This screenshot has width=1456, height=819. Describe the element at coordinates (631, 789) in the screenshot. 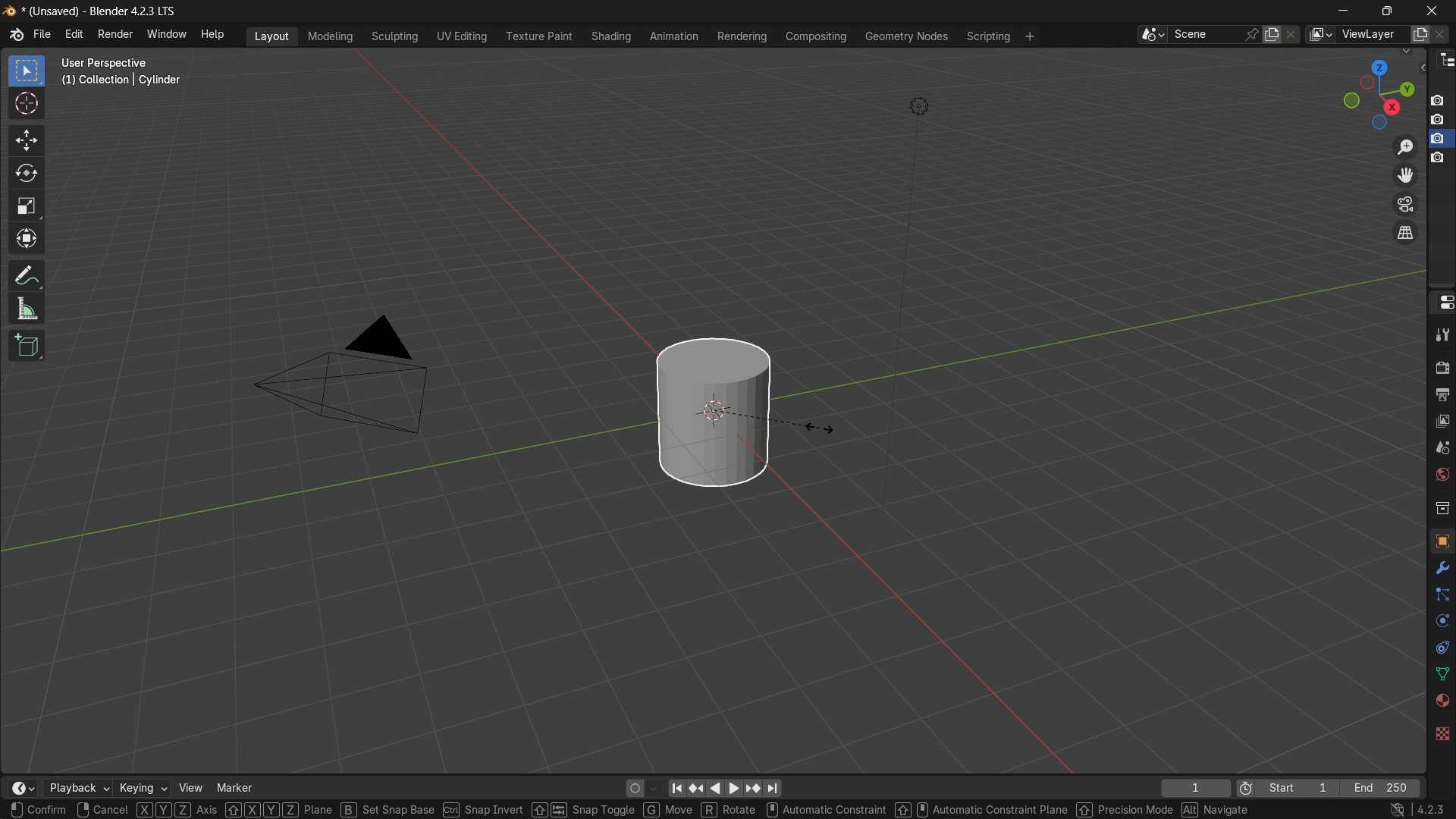

I see `auto keying` at that location.